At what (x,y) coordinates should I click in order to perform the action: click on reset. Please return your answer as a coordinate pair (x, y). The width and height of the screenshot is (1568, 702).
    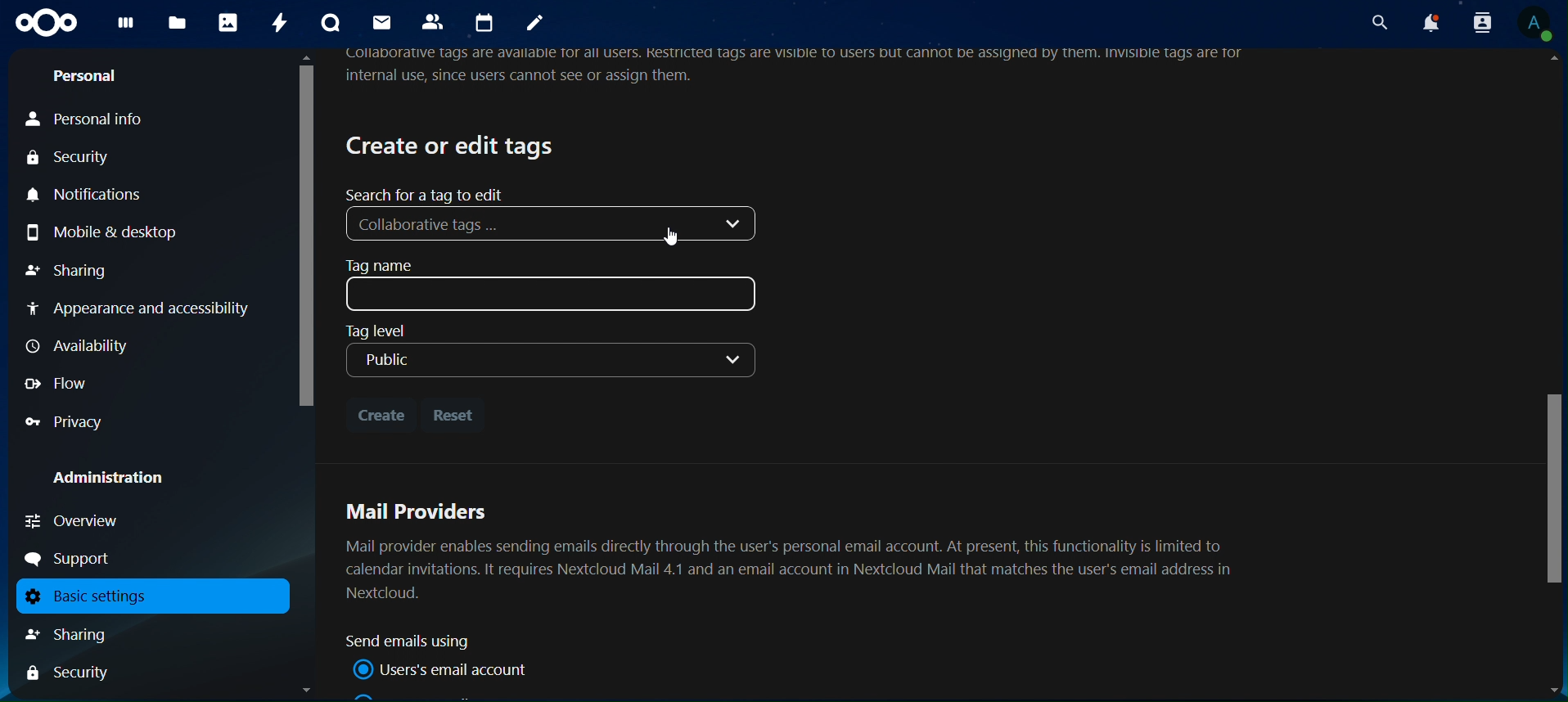
    Looking at the image, I should click on (457, 415).